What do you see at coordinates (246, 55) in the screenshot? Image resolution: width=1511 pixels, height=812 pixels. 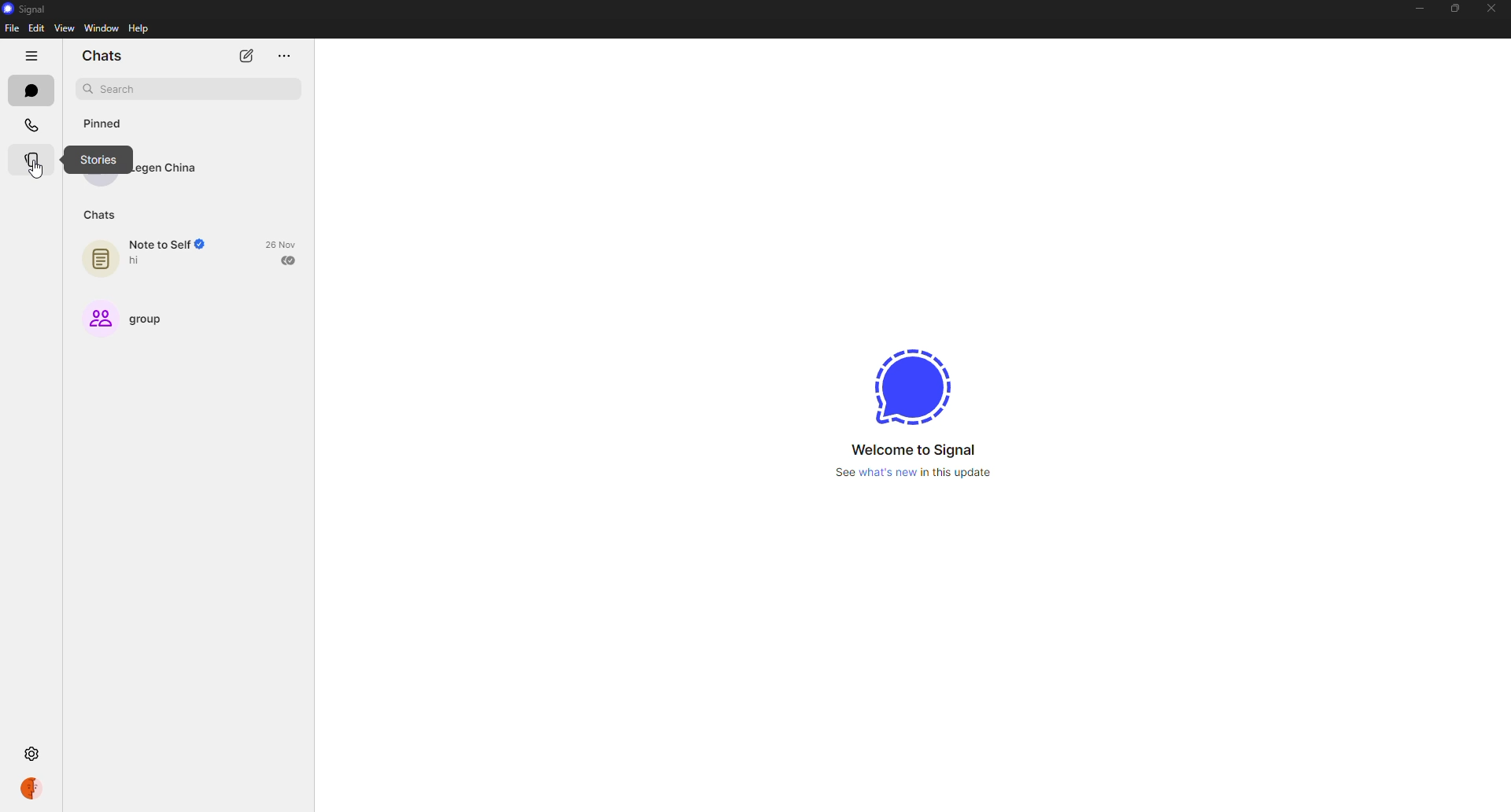 I see `new chat` at bounding box center [246, 55].